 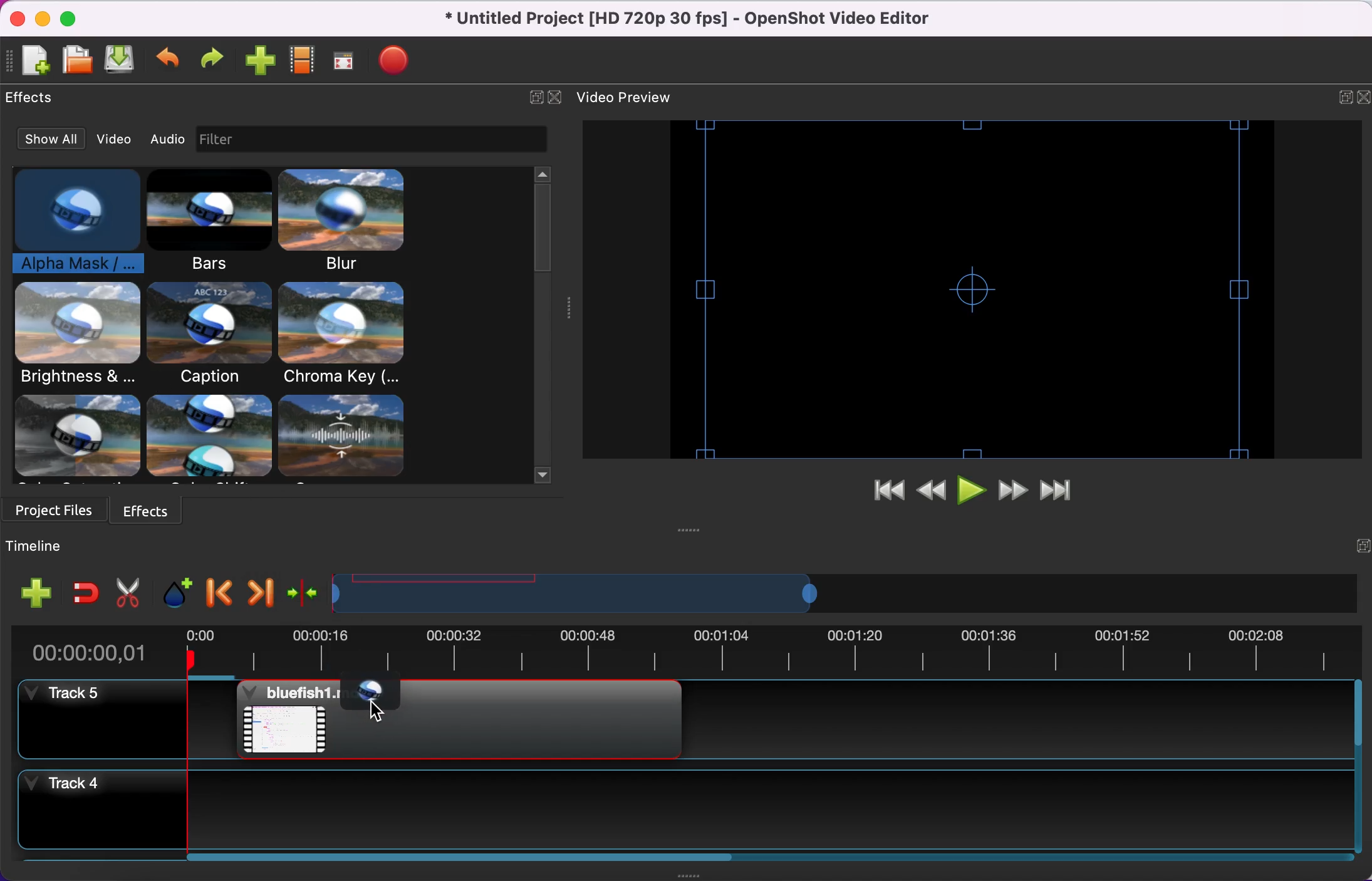 I want to click on effects, so click(x=221, y=439).